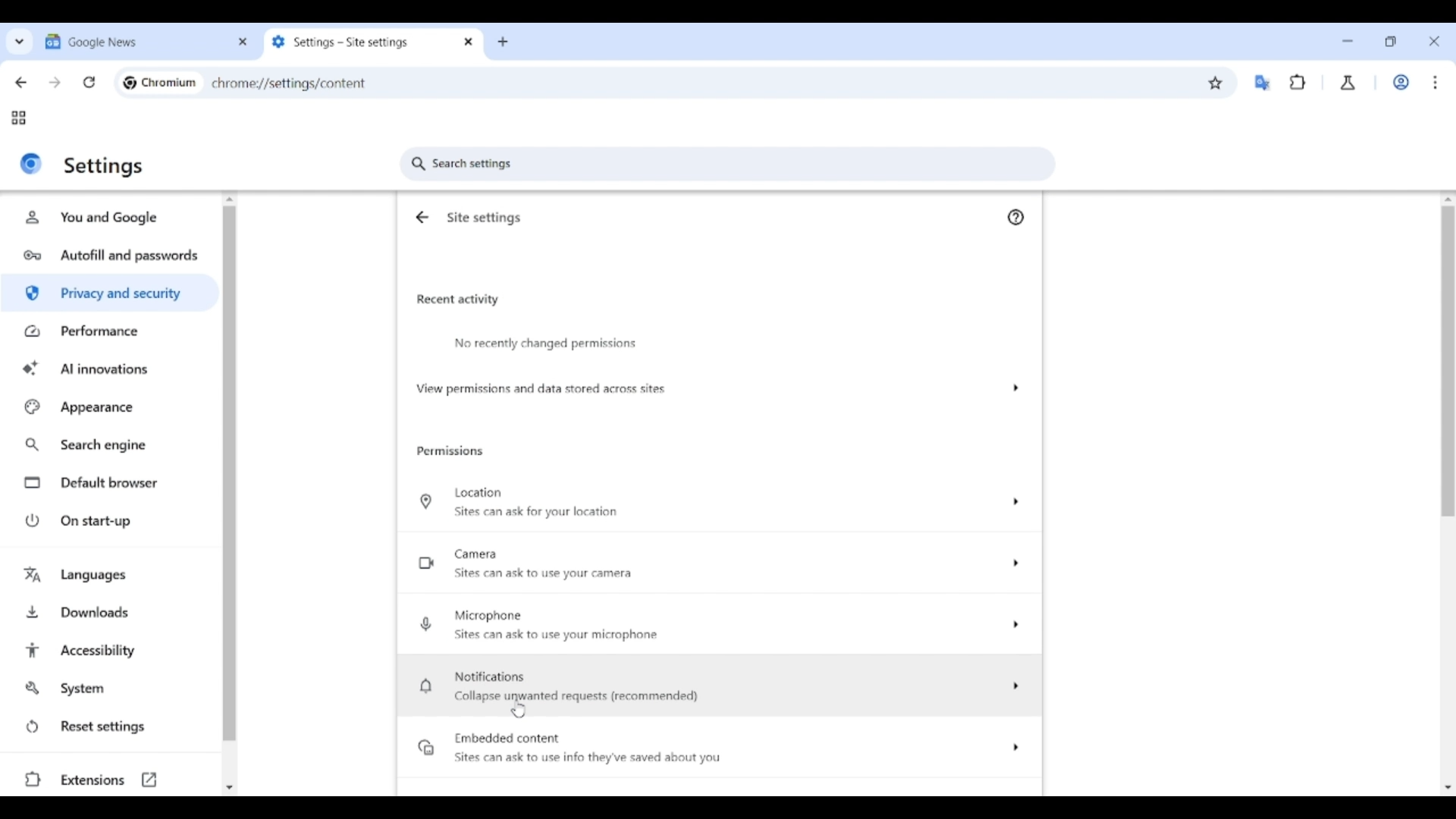  Describe the element at coordinates (108, 780) in the screenshot. I see `Extensions` at that location.